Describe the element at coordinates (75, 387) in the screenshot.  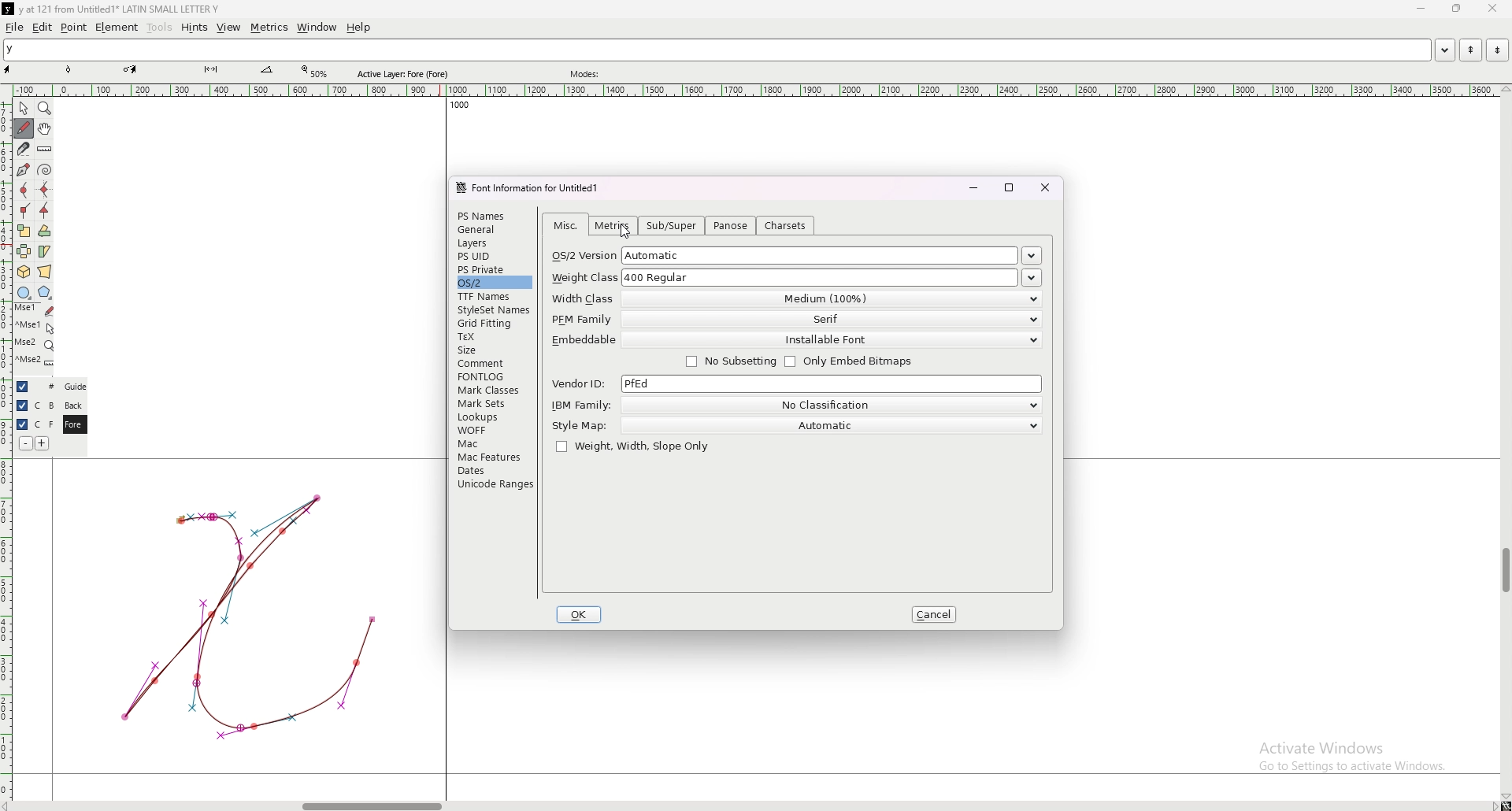
I see `guide` at that location.